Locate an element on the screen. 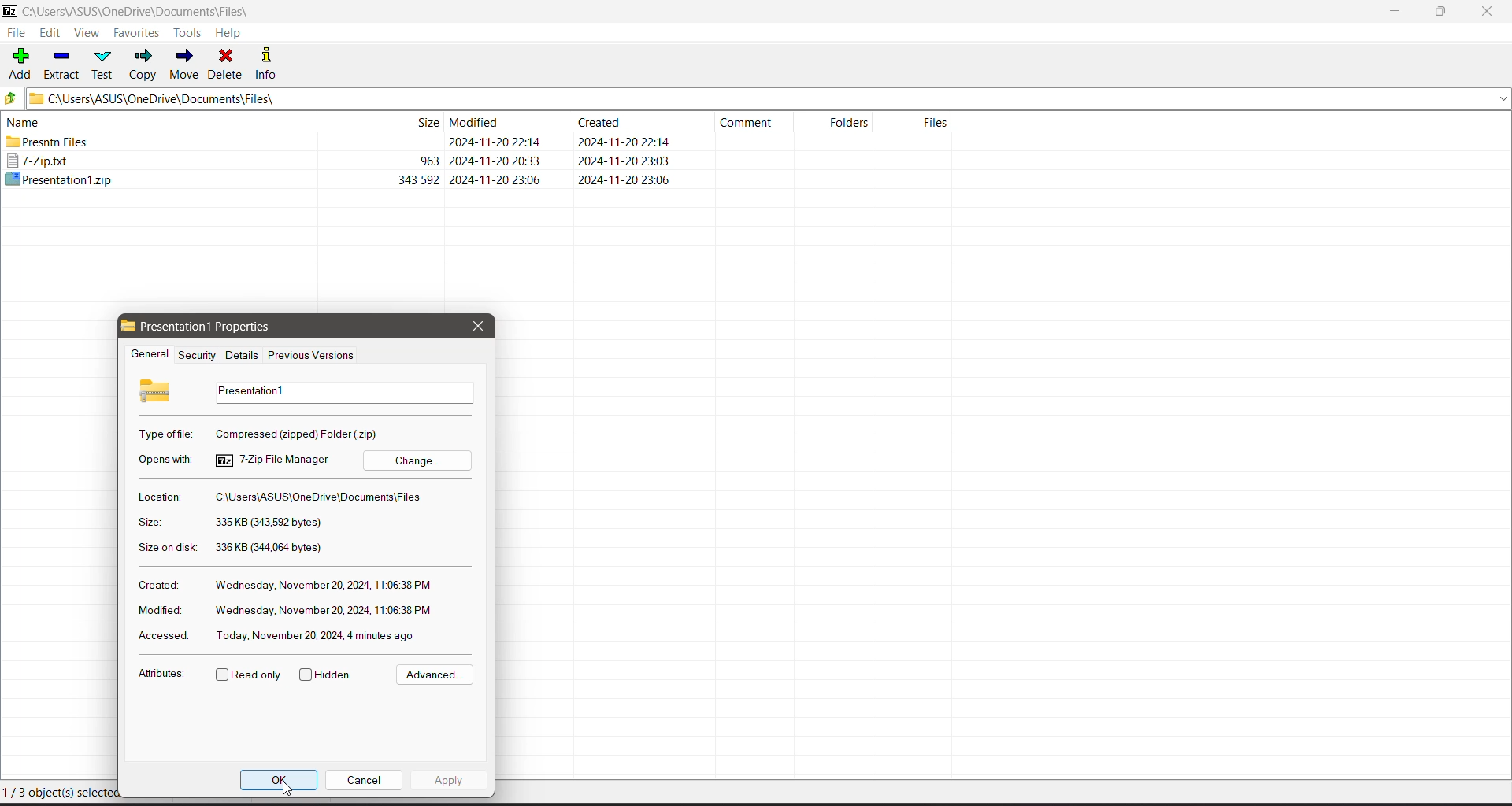 The width and height of the screenshot is (1512, 806). Add is located at coordinates (20, 62).